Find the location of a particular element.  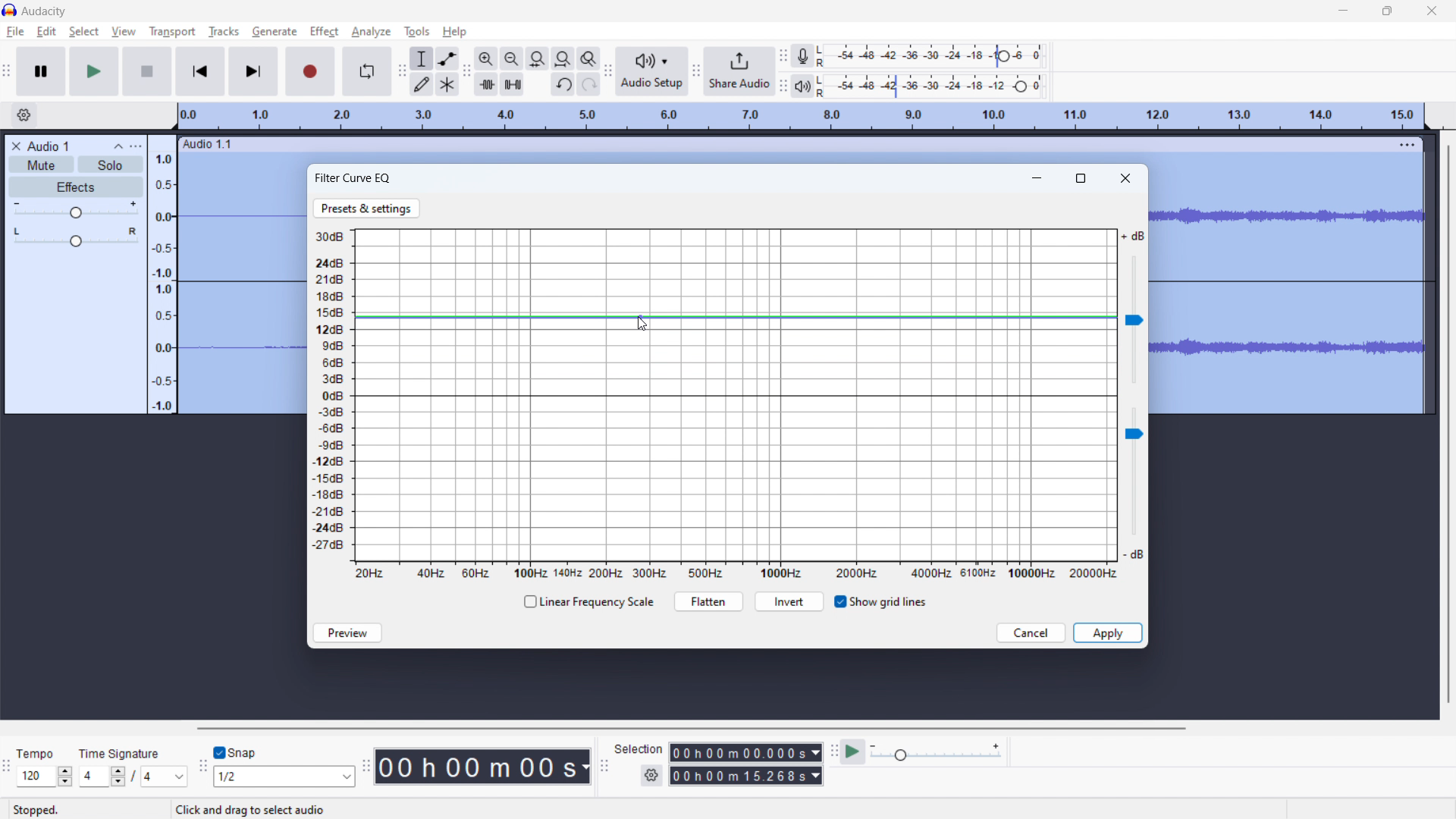

envelop tool is located at coordinates (447, 58).